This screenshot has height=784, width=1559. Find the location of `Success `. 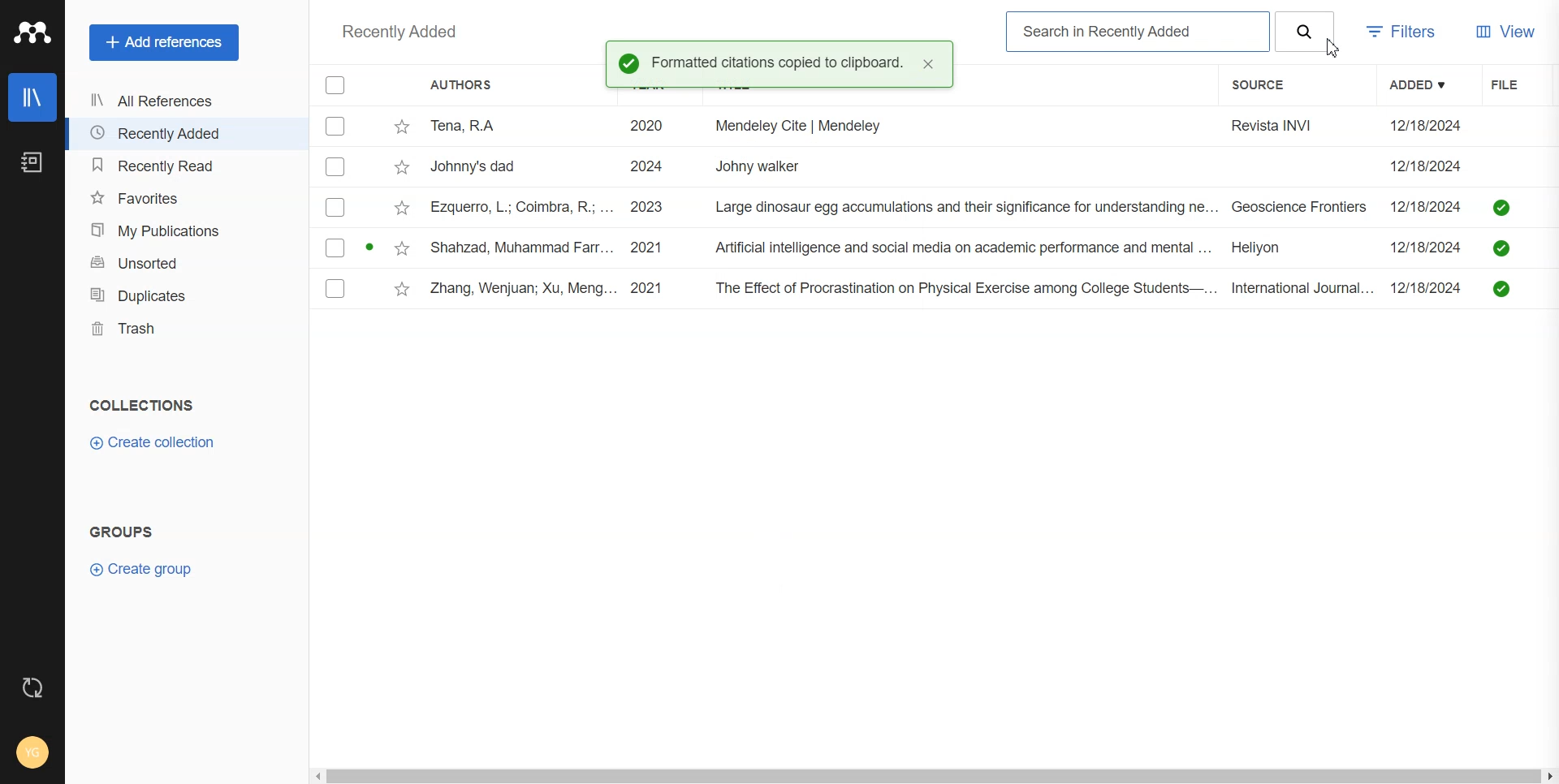

Success  is located at coordinates (628, 62).